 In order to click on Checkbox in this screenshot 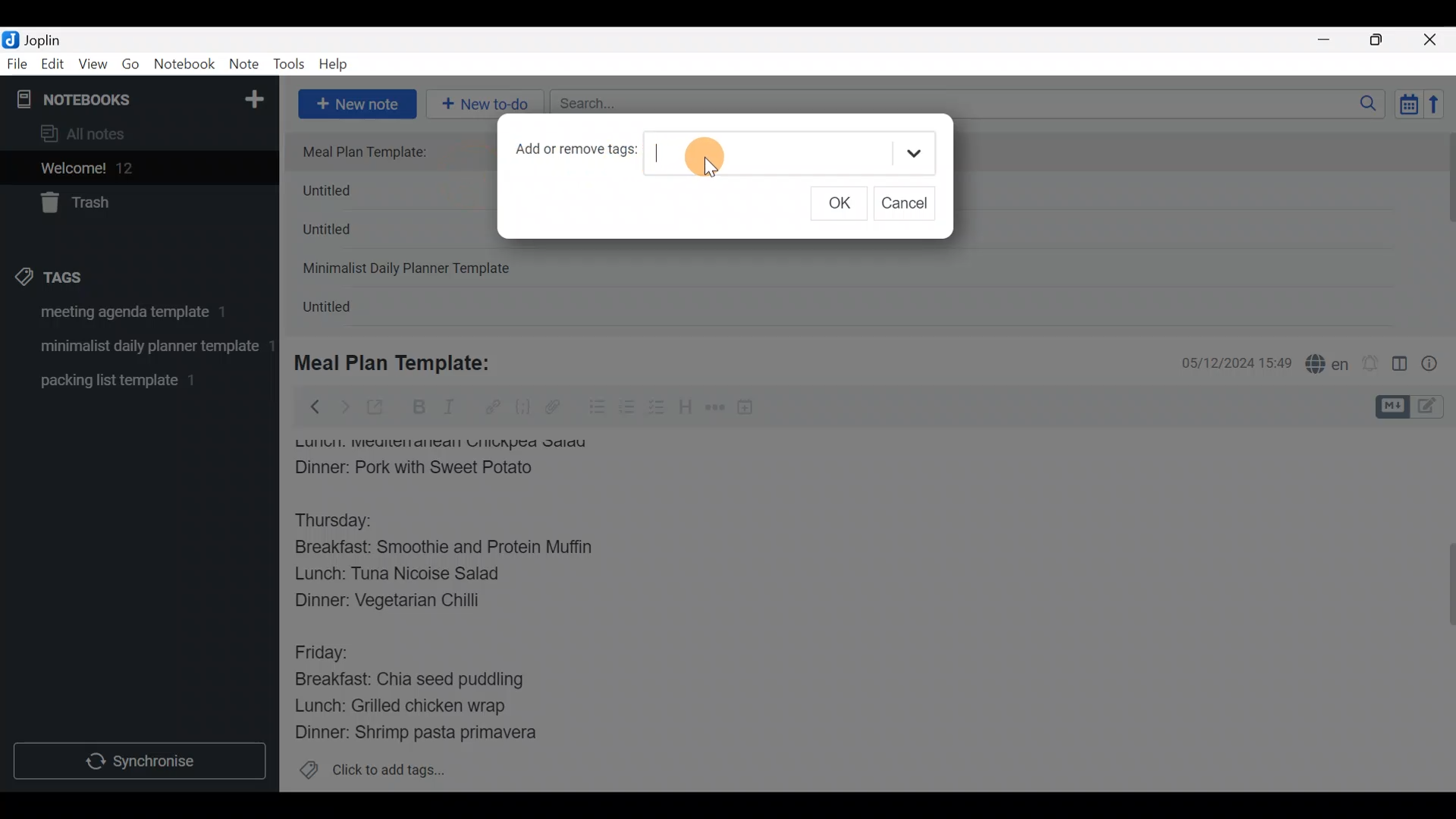, I will do `click(658, 409)`.